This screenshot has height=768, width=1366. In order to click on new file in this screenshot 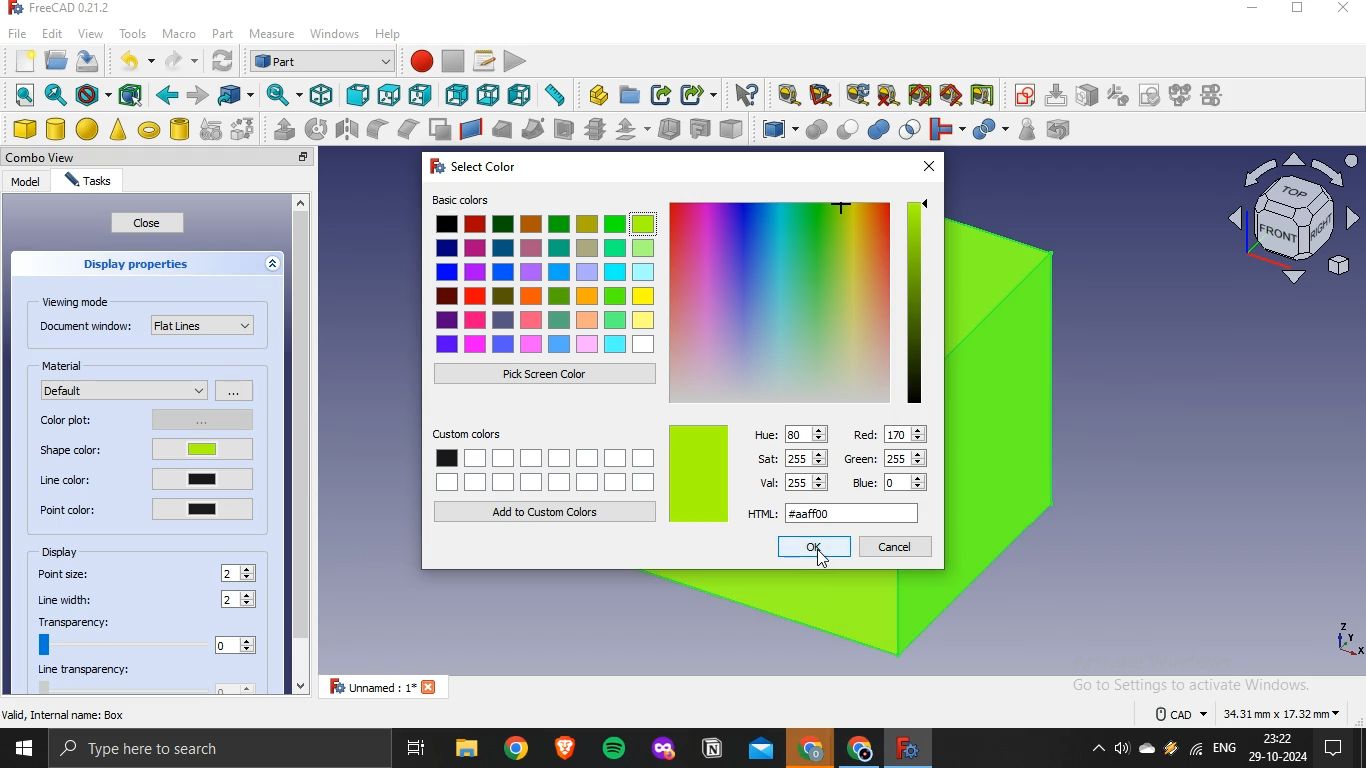, I will do `click(24, 58)`.